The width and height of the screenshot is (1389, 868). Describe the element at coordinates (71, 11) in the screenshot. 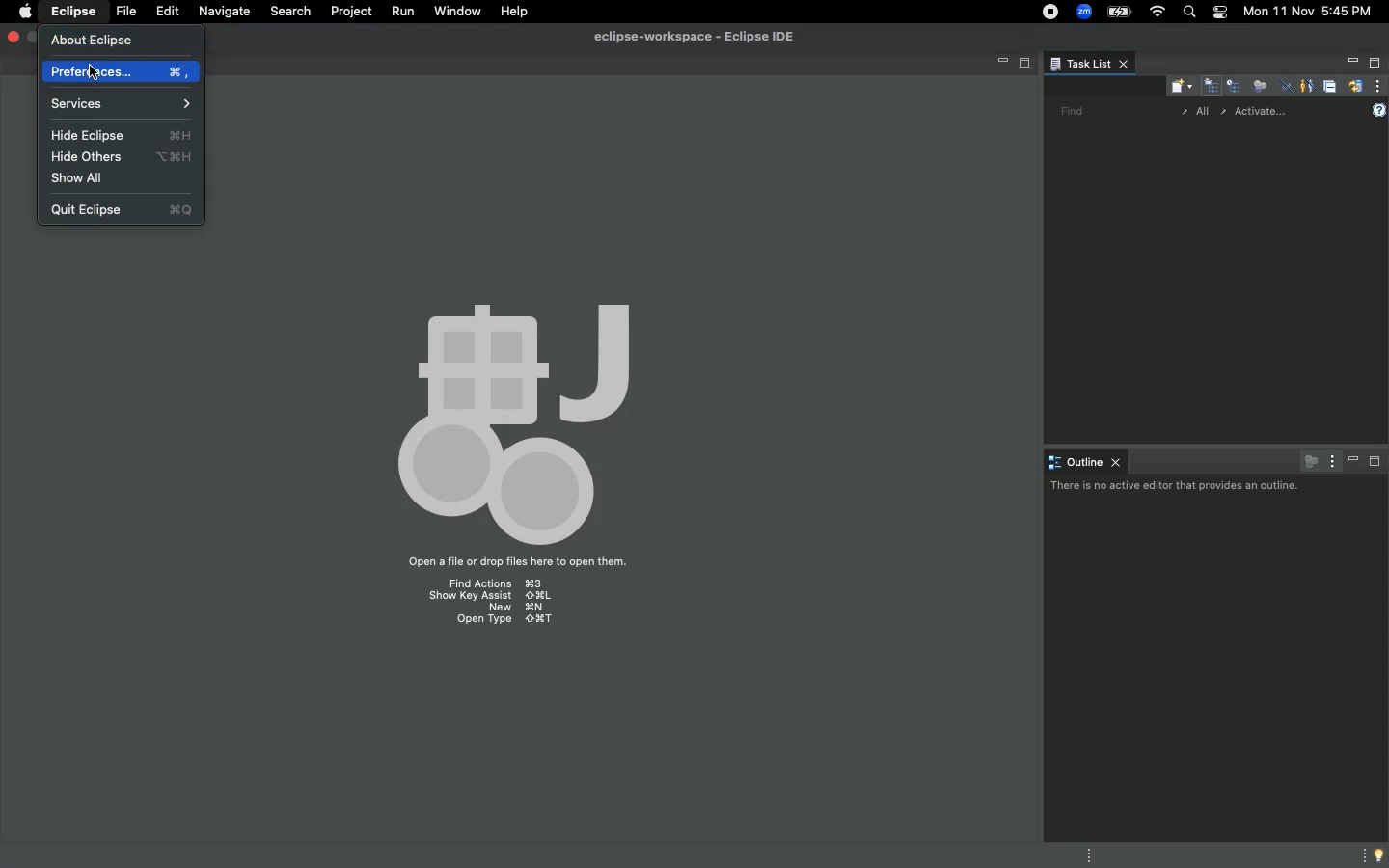

I see `Eclipse` at that location.